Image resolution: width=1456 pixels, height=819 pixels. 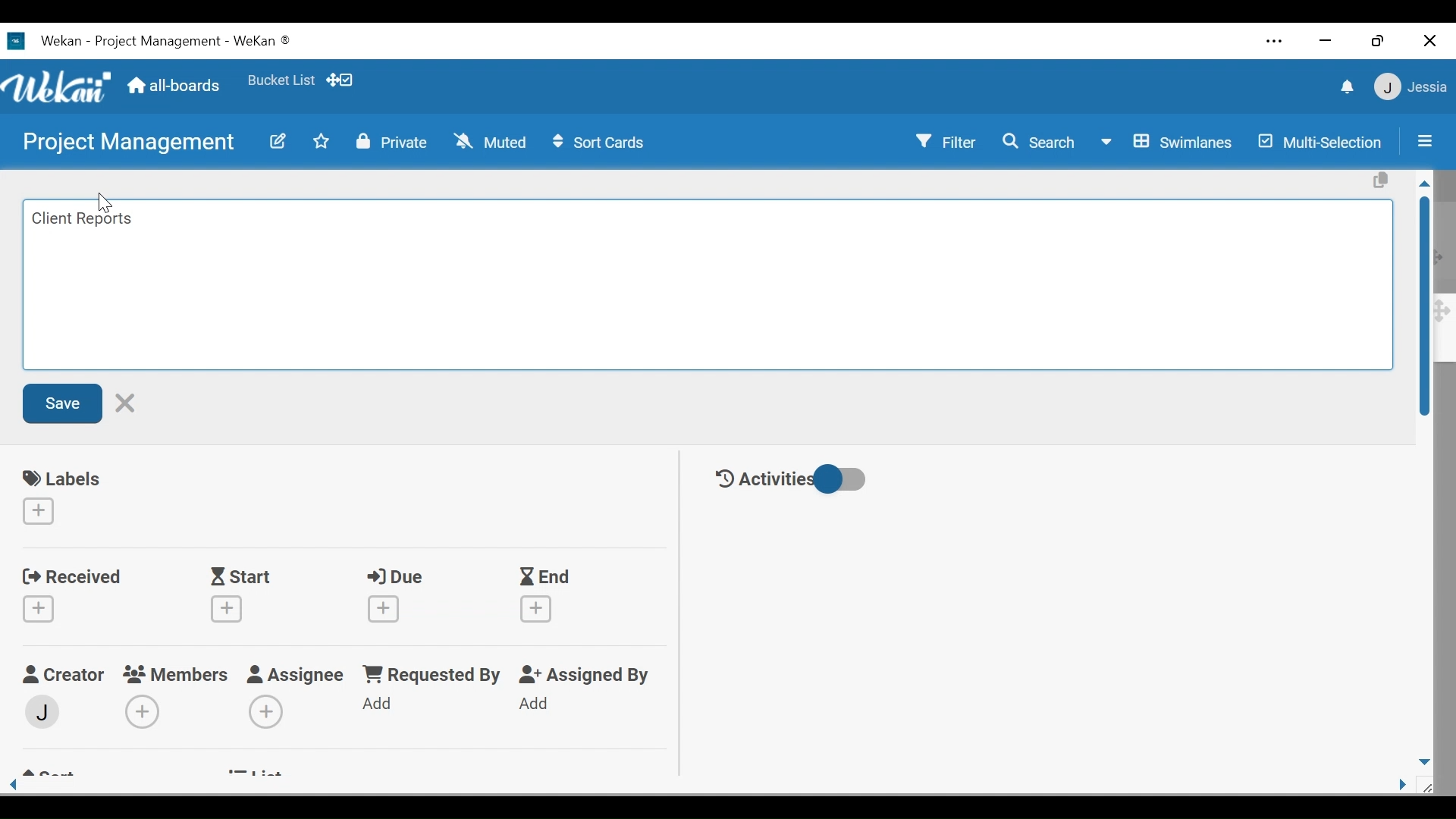 What do you see at coordinates (536, 609) in the screenshot?
I see `Create End Date` at bounding box center [536, 609].